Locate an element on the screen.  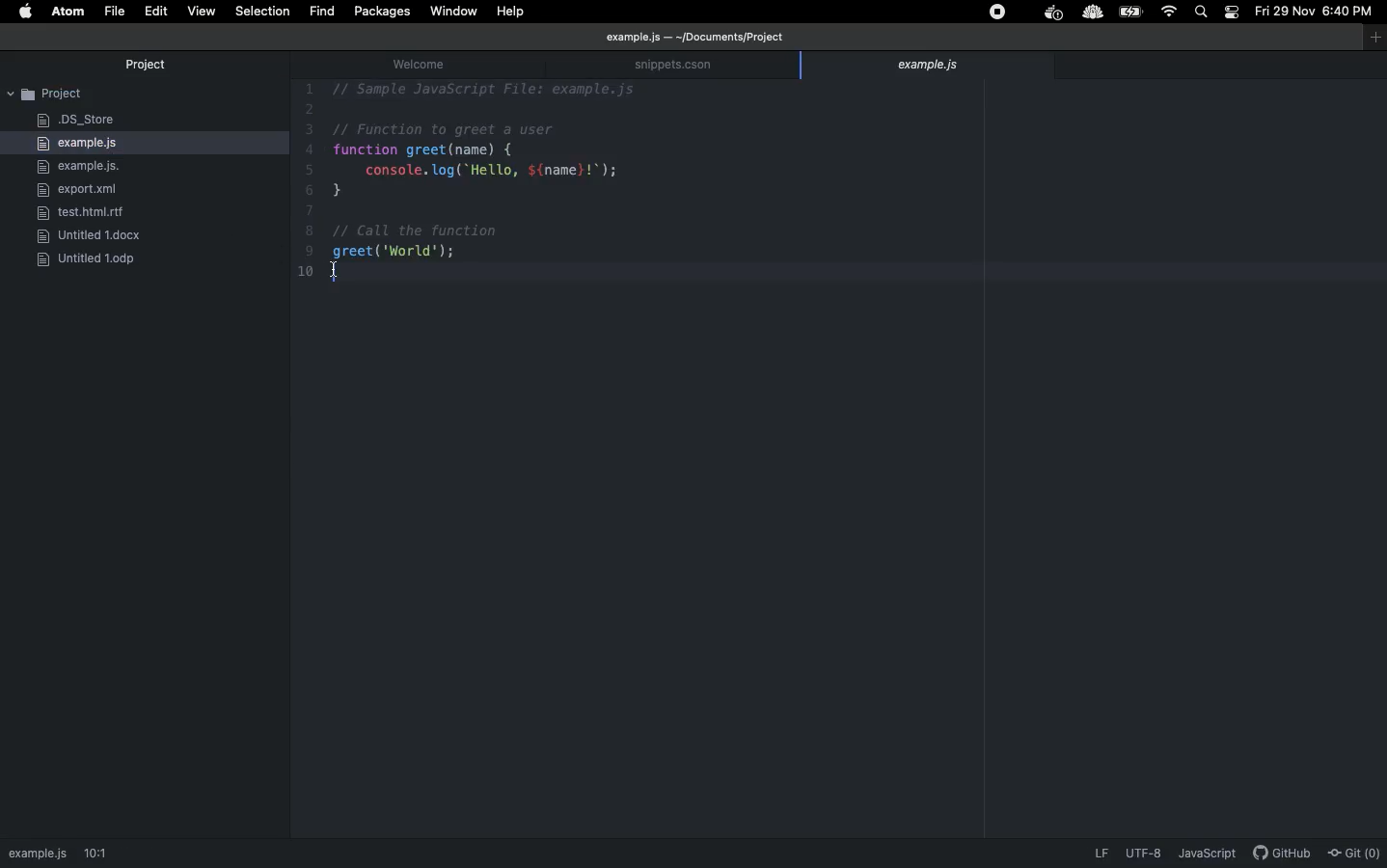
Packages is located at coordinates (385, 14).